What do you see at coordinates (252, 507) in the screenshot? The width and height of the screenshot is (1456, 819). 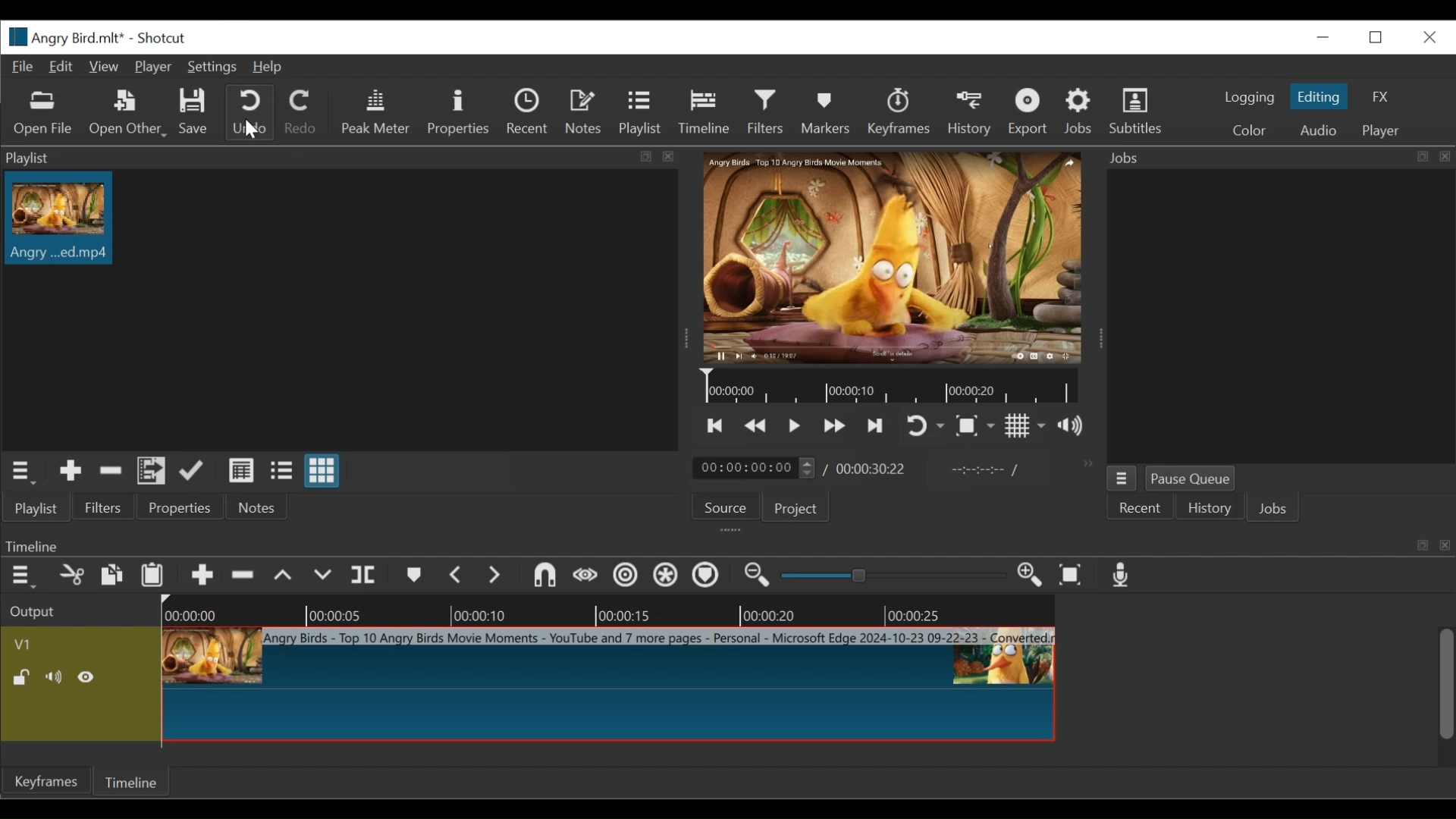 I see `Notes` at bounding box center [252, 507].